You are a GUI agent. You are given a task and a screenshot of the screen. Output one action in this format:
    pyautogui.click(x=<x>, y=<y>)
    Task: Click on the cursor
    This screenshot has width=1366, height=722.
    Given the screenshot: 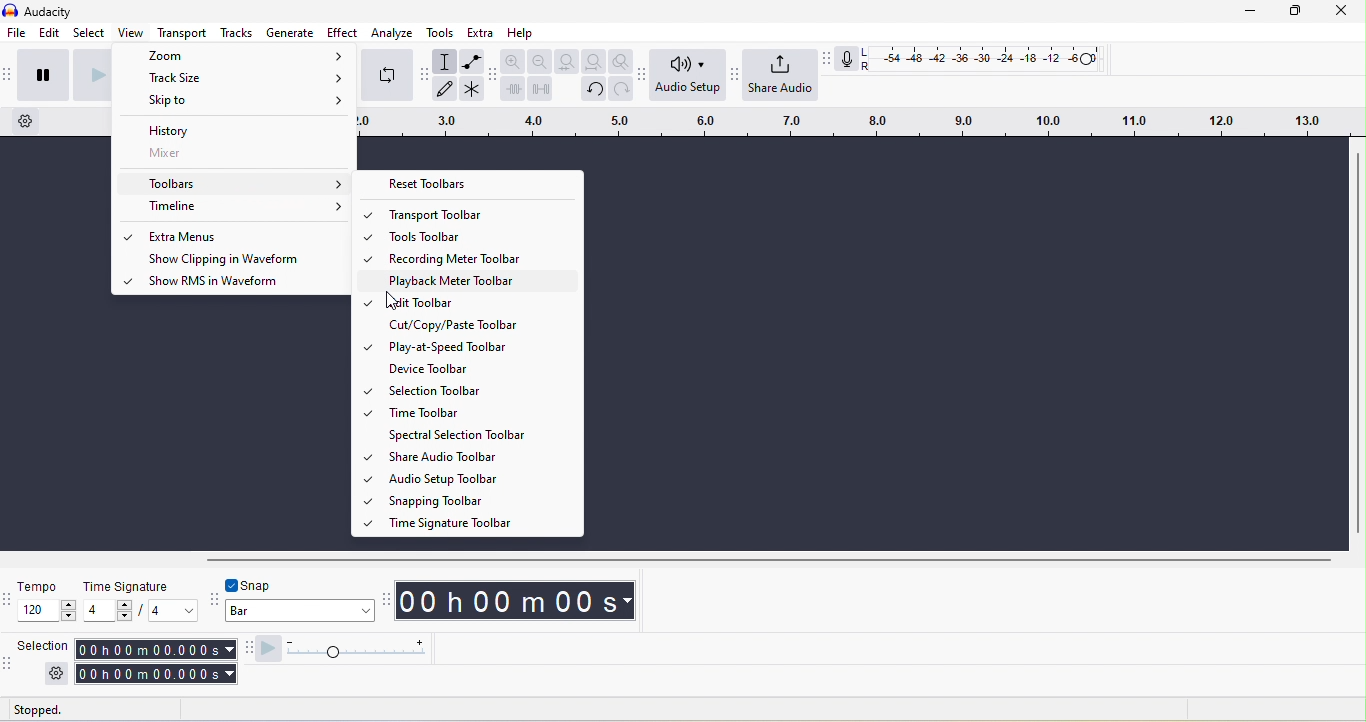 What is the action you would take?
    pyautogui.click(x=392, y=301)
    